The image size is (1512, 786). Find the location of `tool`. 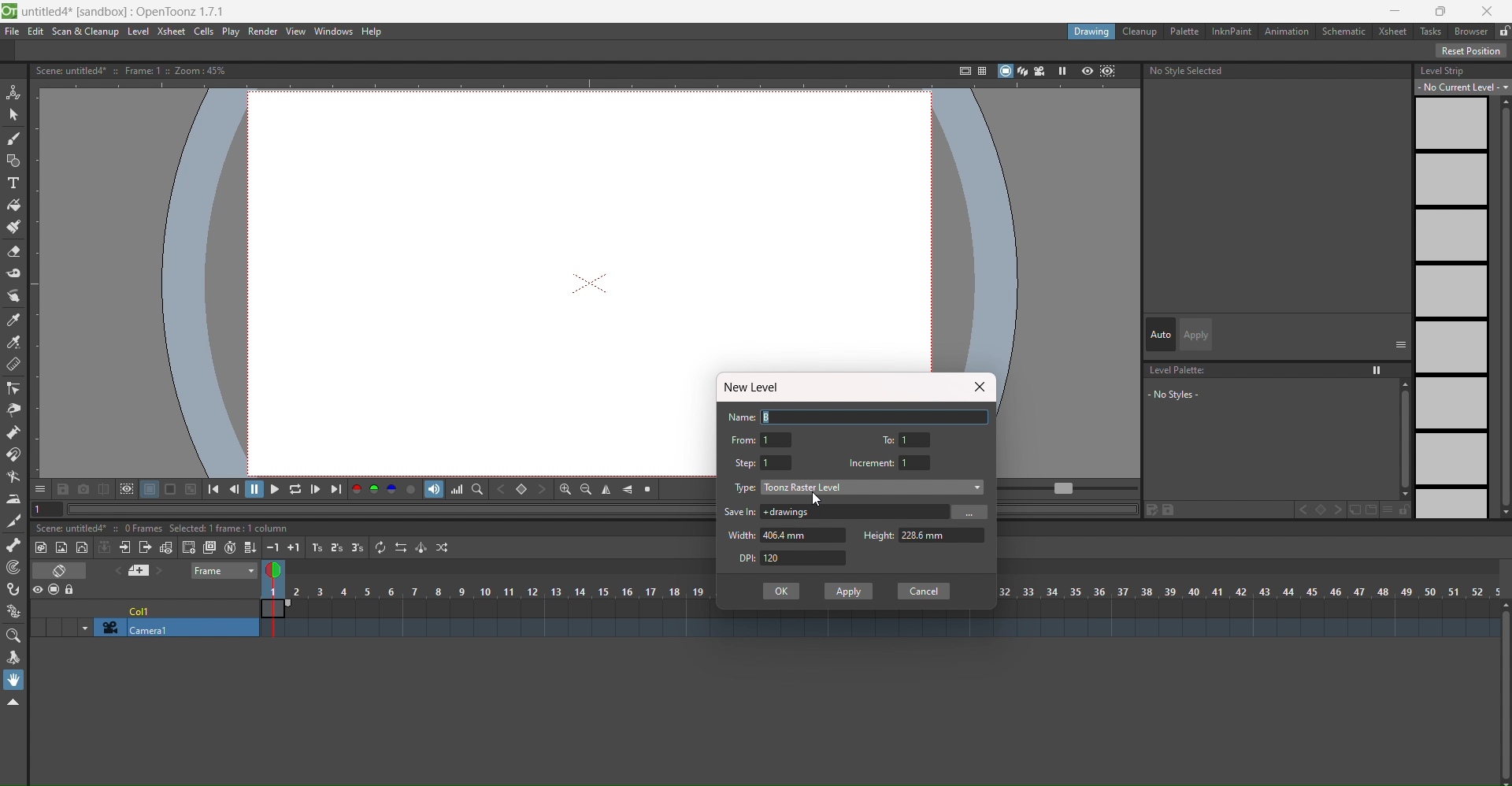

tool is located at coordinates (64, 488).